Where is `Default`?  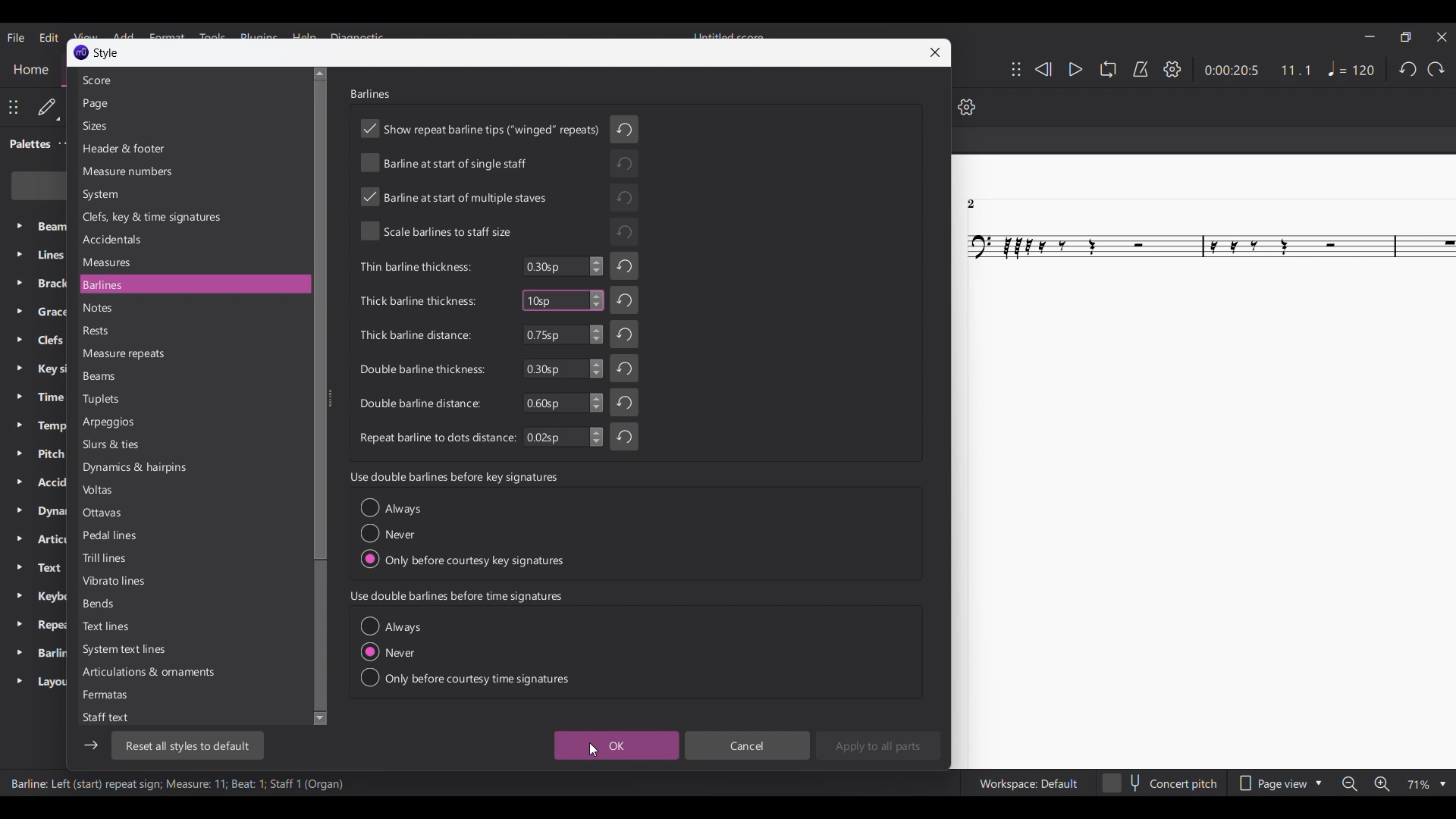
Default is located at coordinates (49, 108).